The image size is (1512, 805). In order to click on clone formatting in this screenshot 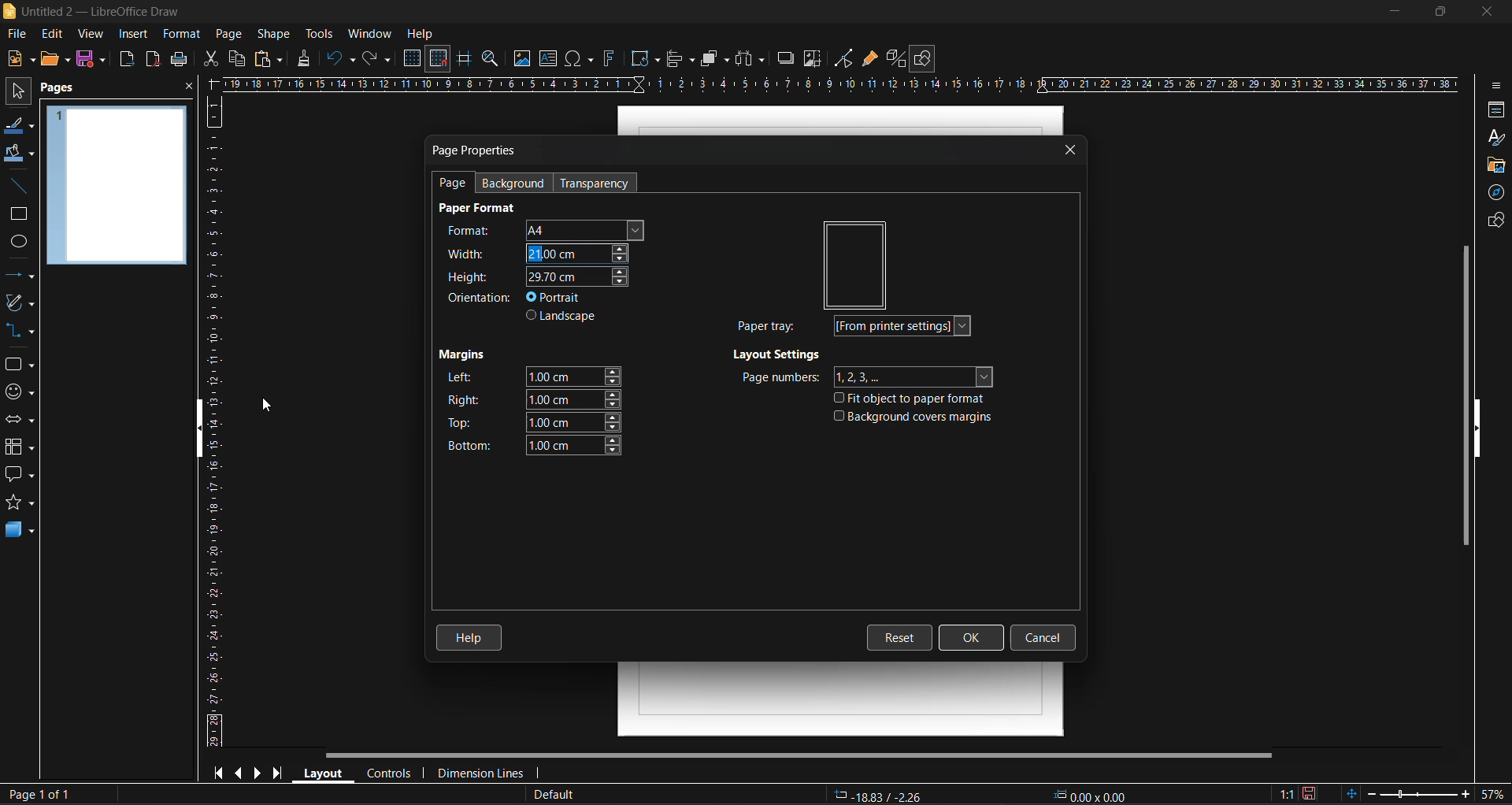, I will do `click(308, 60)`.